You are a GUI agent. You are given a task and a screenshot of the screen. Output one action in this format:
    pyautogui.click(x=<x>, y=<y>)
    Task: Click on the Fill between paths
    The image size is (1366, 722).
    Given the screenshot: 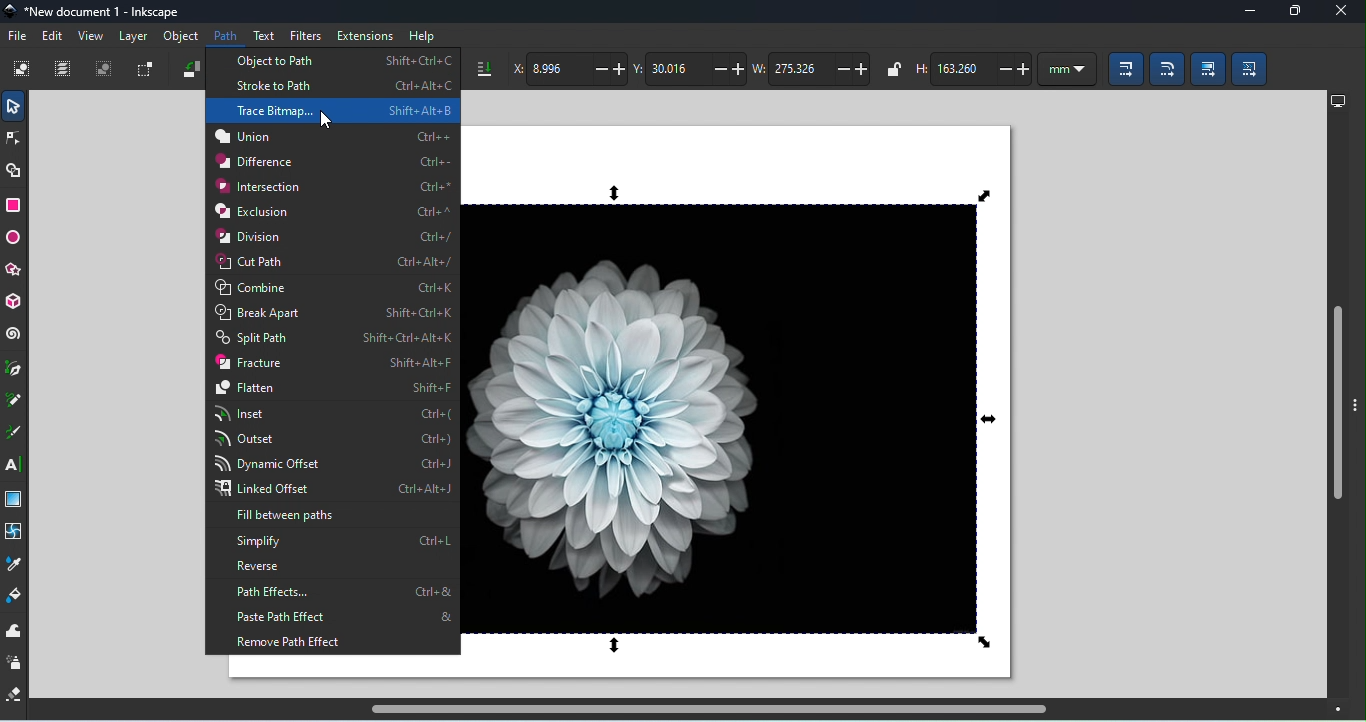 What is the action you would take?
    pyautogui.click(x=293, y=515)
    